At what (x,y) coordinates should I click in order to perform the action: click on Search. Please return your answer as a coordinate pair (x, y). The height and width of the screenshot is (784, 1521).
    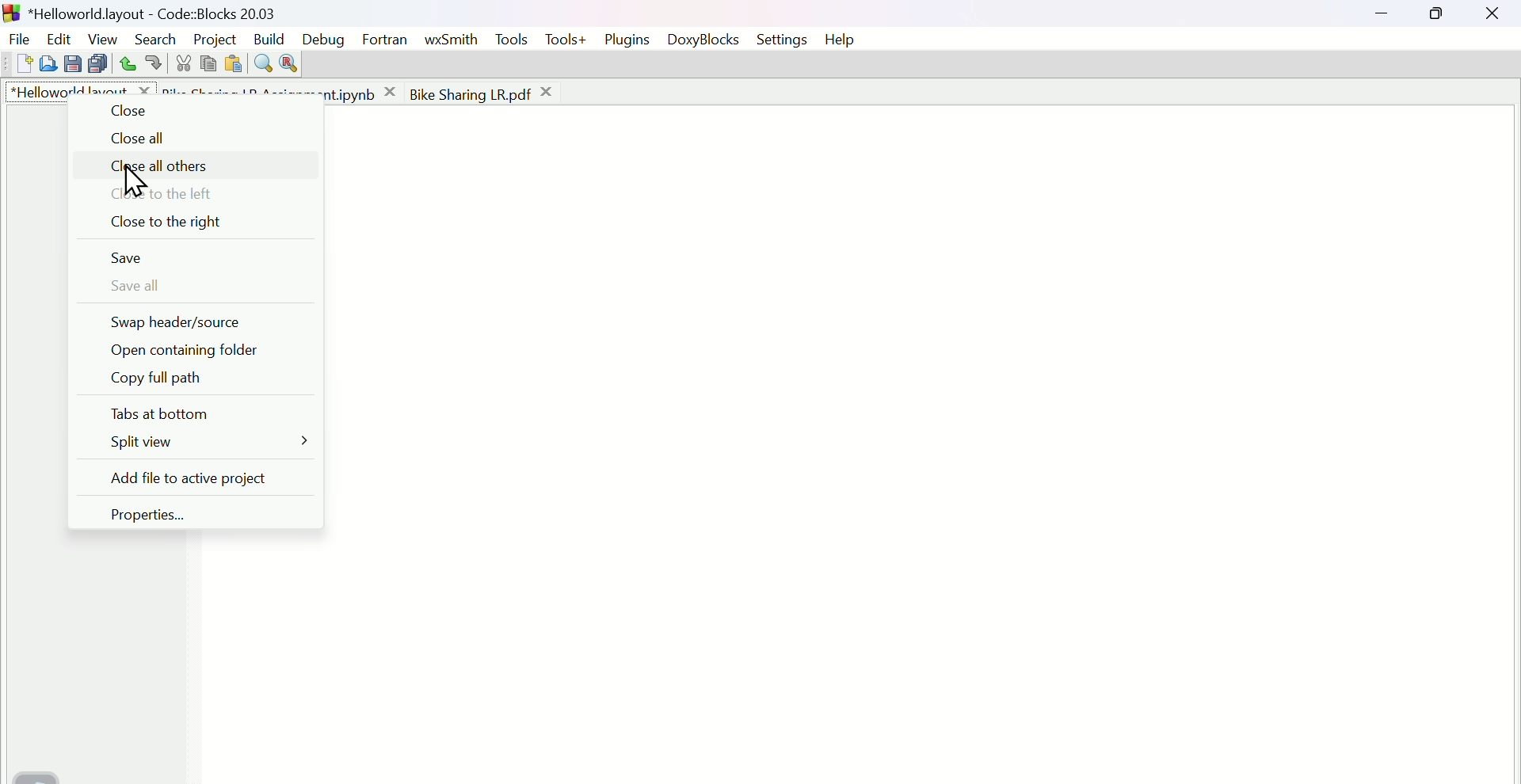
    Looking at the image, I should click on (154, 38).